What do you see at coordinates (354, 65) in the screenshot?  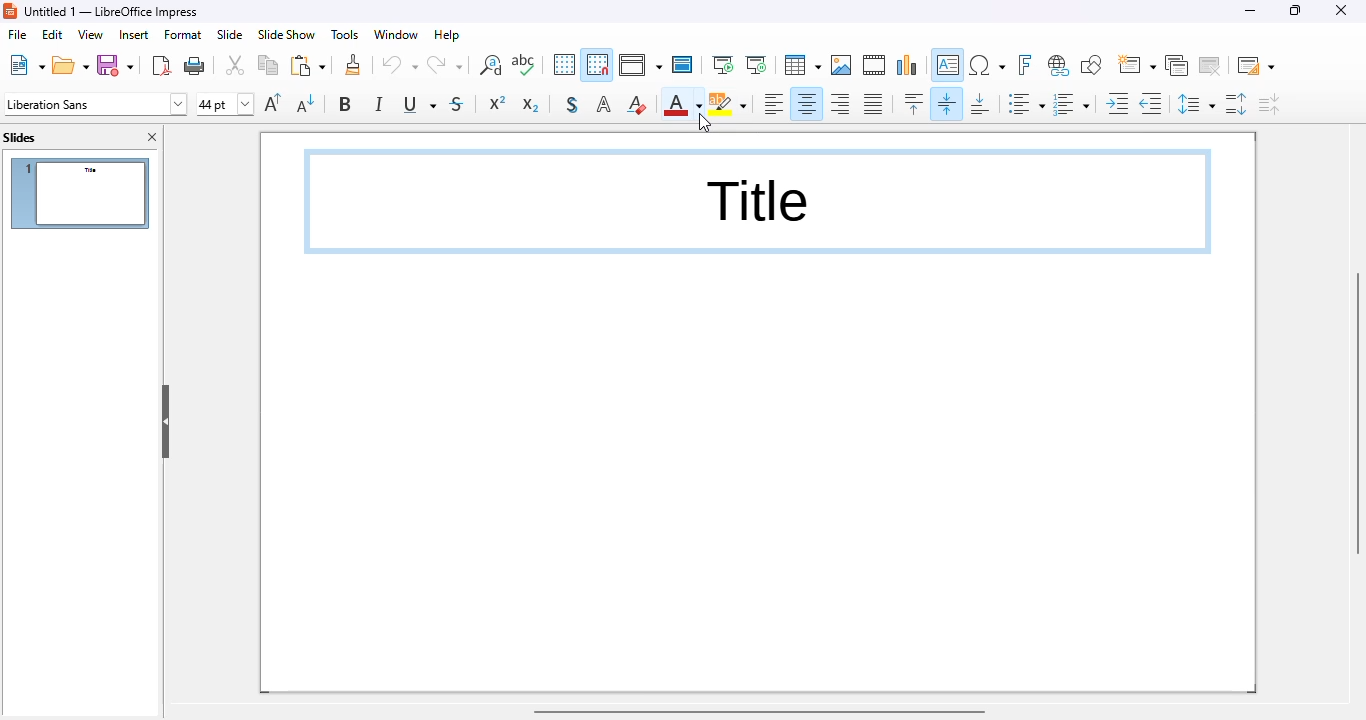 I see `clone formatting` at bounding box center [354, 65].